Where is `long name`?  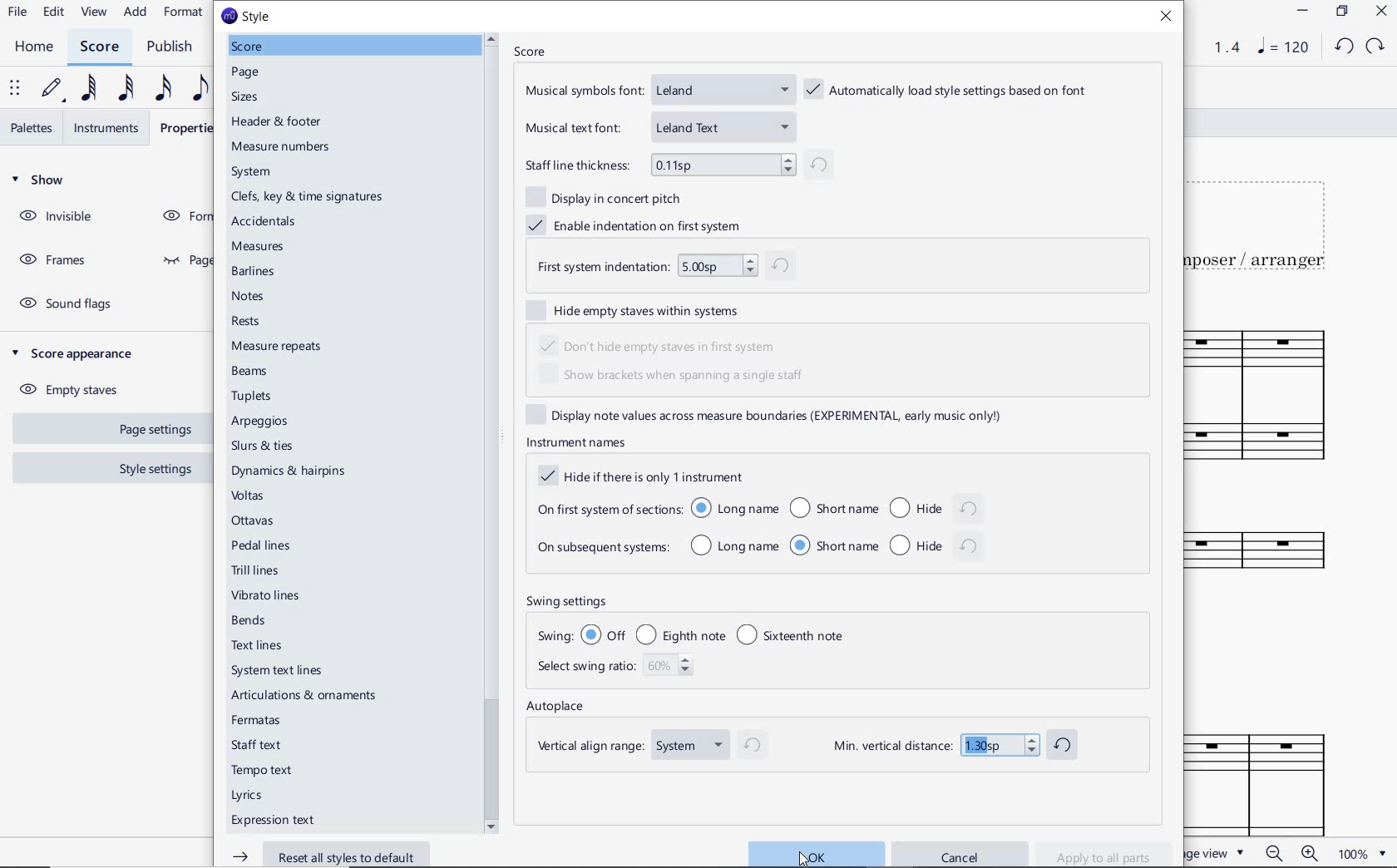 long name is located at coordinates (734, 546).